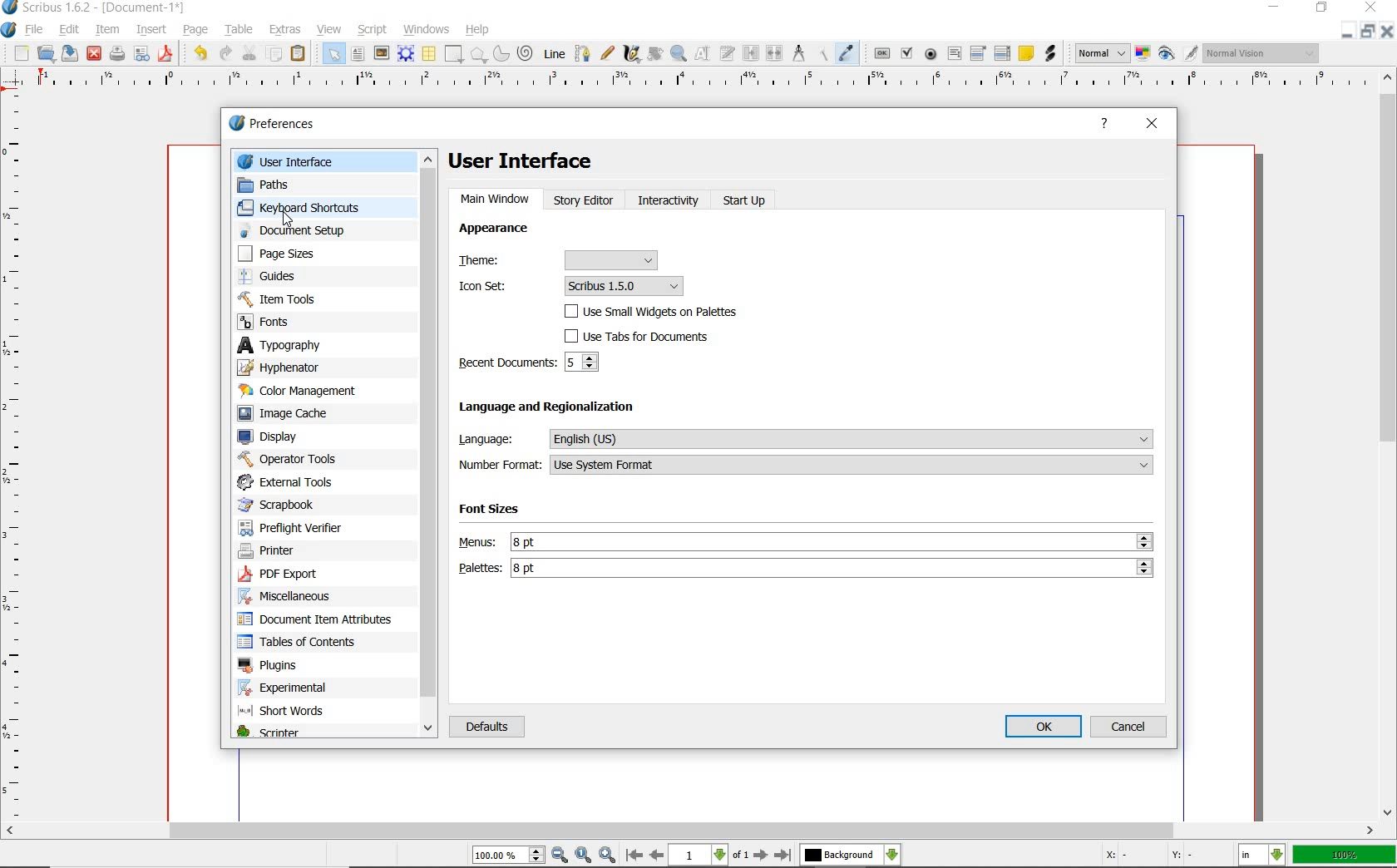 Image resolution: width=1397 pixels, height=868 pixels. I want to click on close, so click(1153, 126).